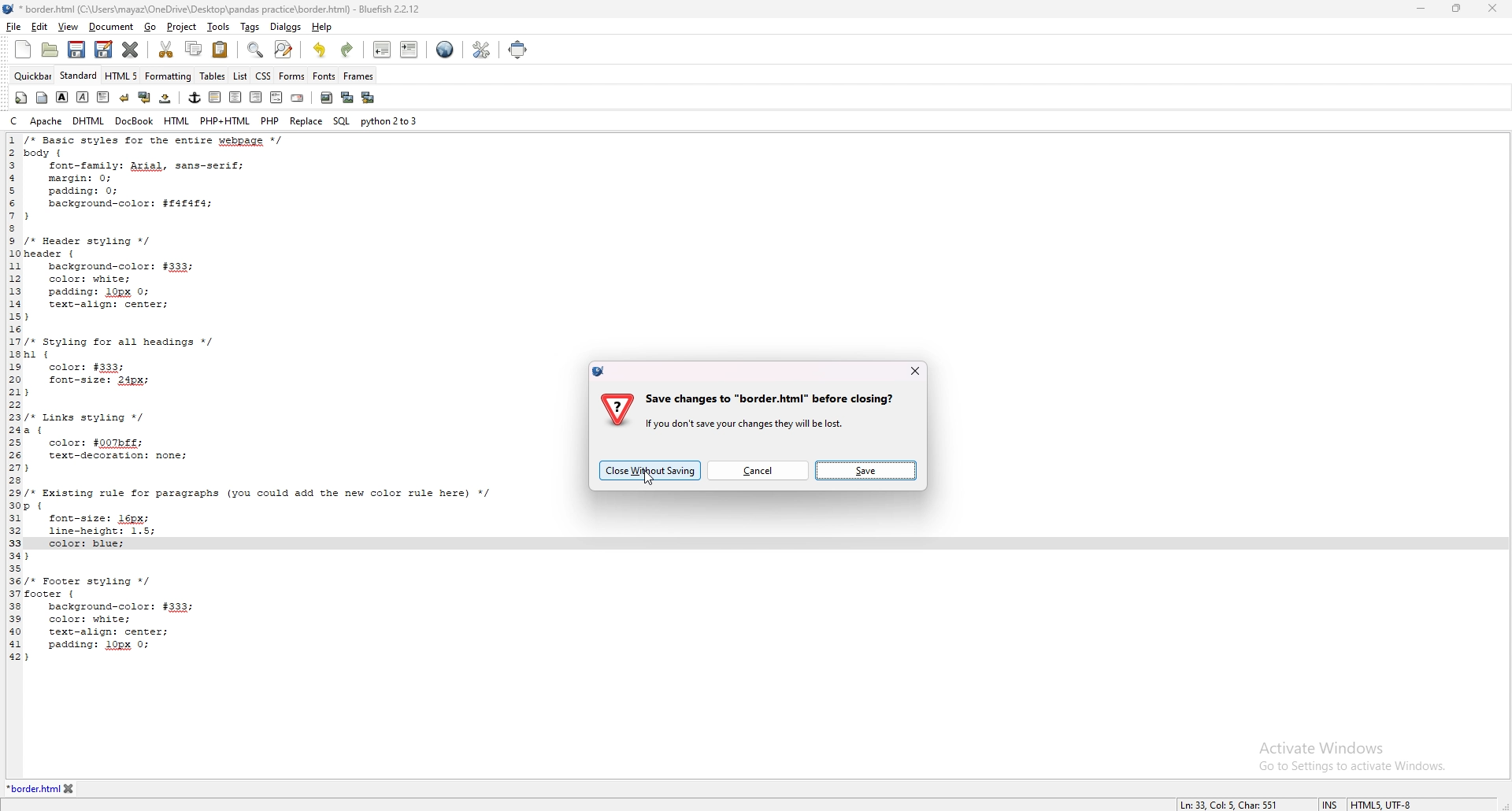 This screenshot has width=1512, height=811. What do you see at coordinates (78, 76) in the screenshot?
I see `standard` at bounding box center [78, 76].